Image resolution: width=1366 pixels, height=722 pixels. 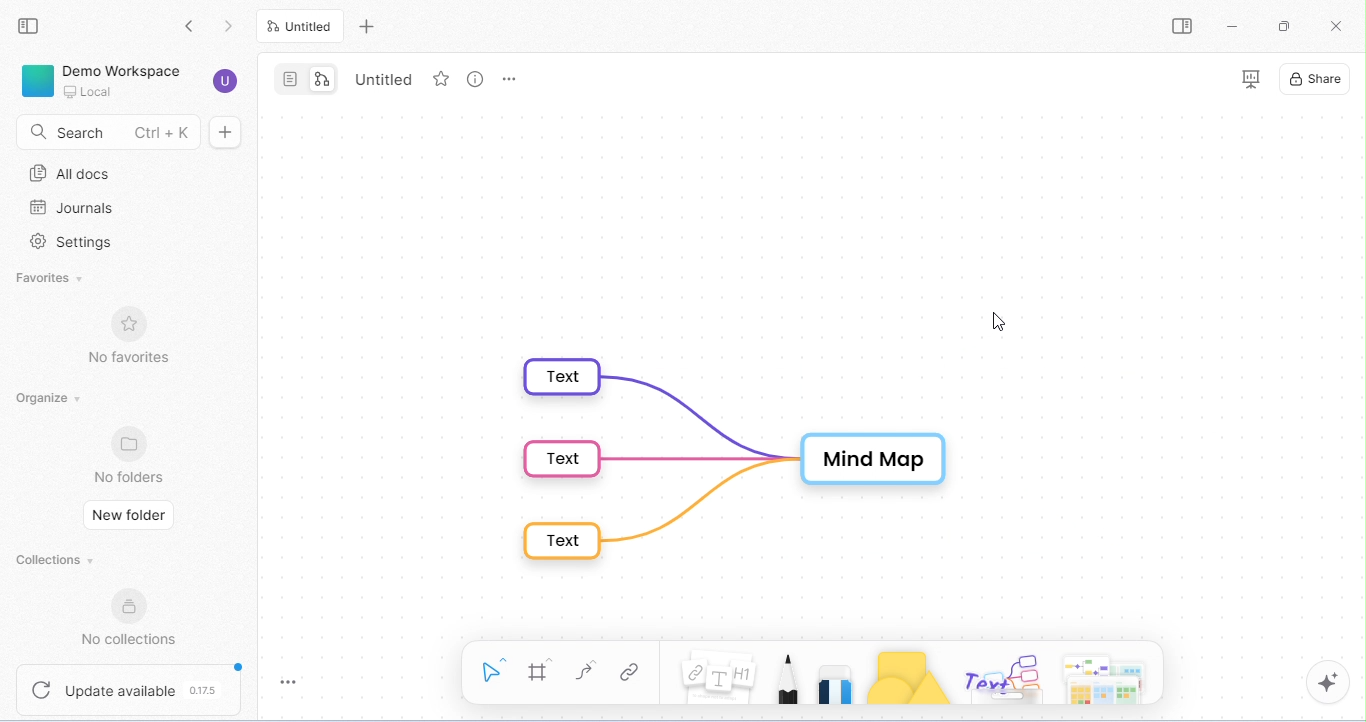 What do you see at coordinates (733, 455) in the screenshot?
I see `layout of mind map branches have been changed` at bounding box center [733, 455].